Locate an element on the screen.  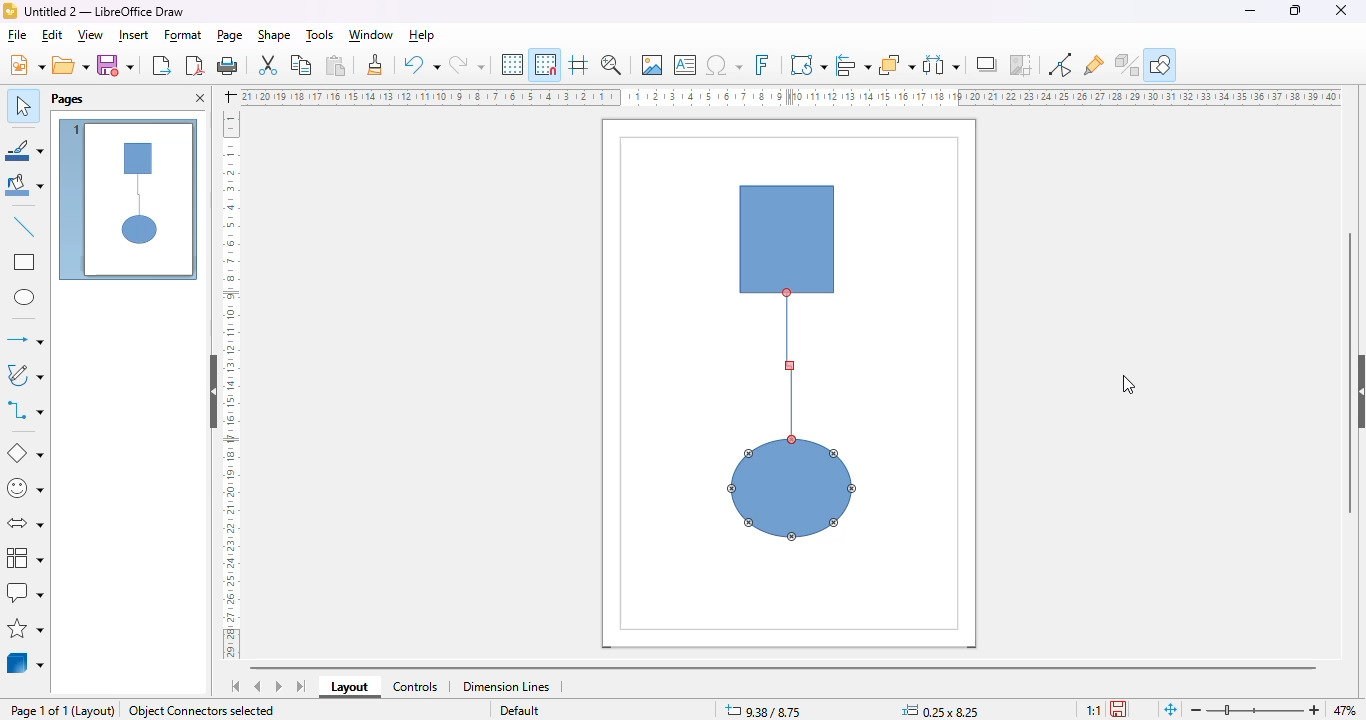
connectors is located at coordinates (26, 409).